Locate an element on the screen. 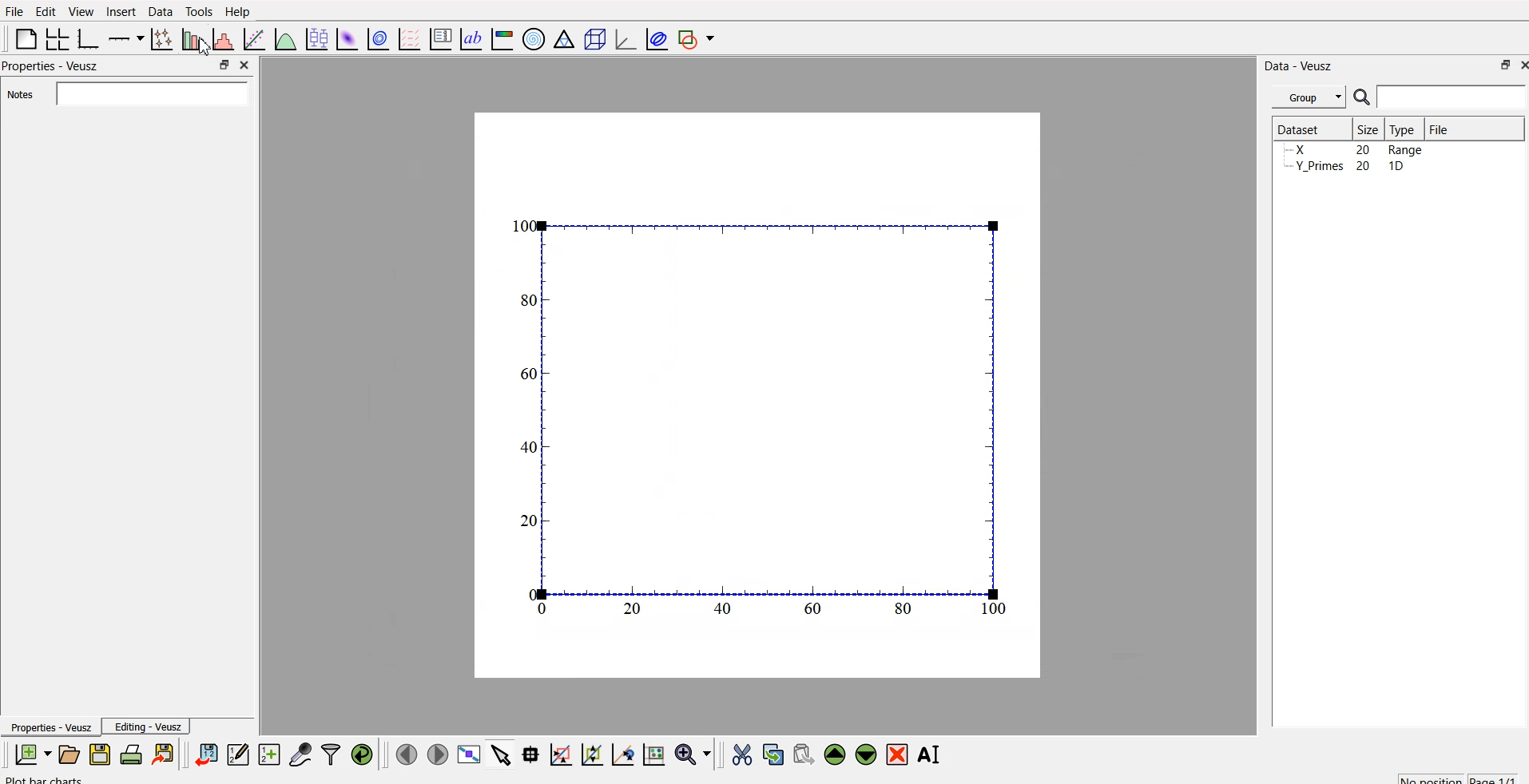  rename the selected widget is located at coordinates (933, 752).